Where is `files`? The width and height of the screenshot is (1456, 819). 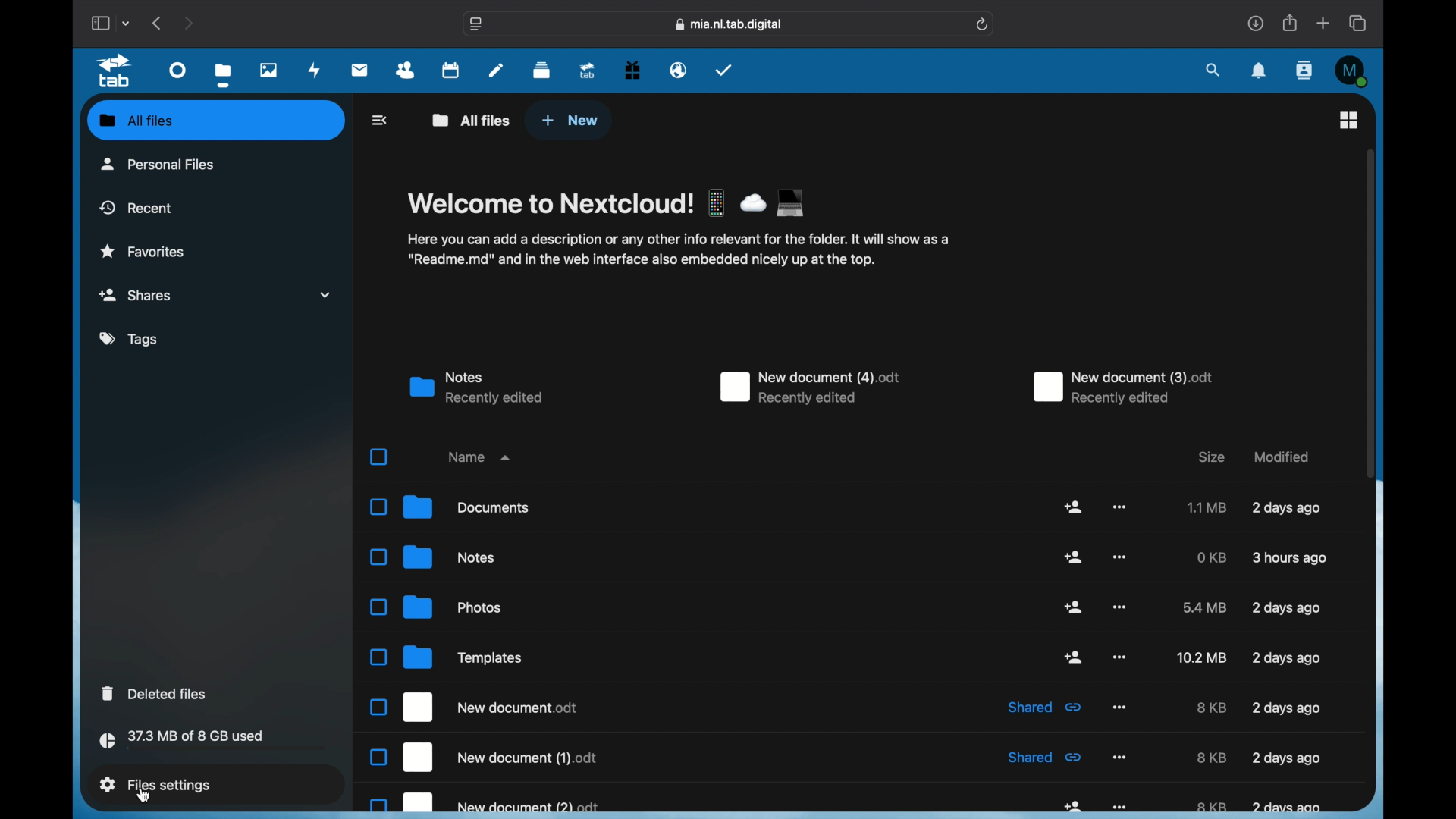 files is located at coordinates (224, 74).